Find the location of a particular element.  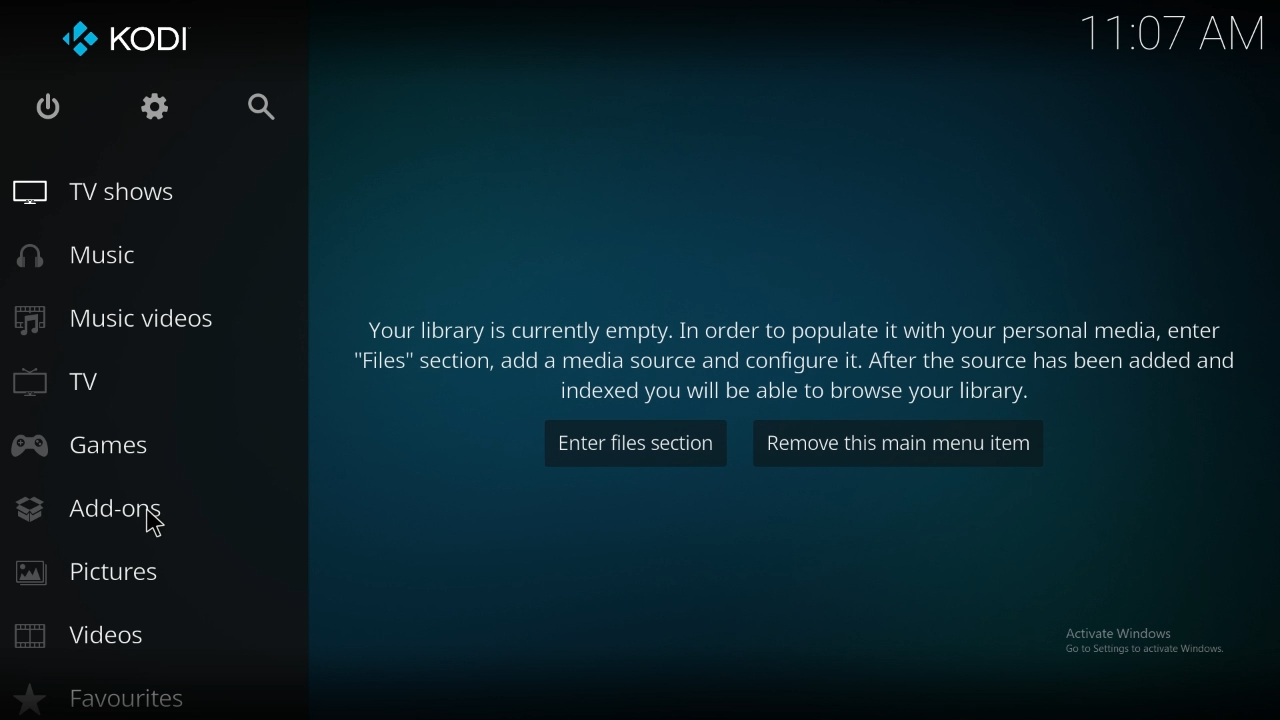

info is located at coordinates (797, 352).